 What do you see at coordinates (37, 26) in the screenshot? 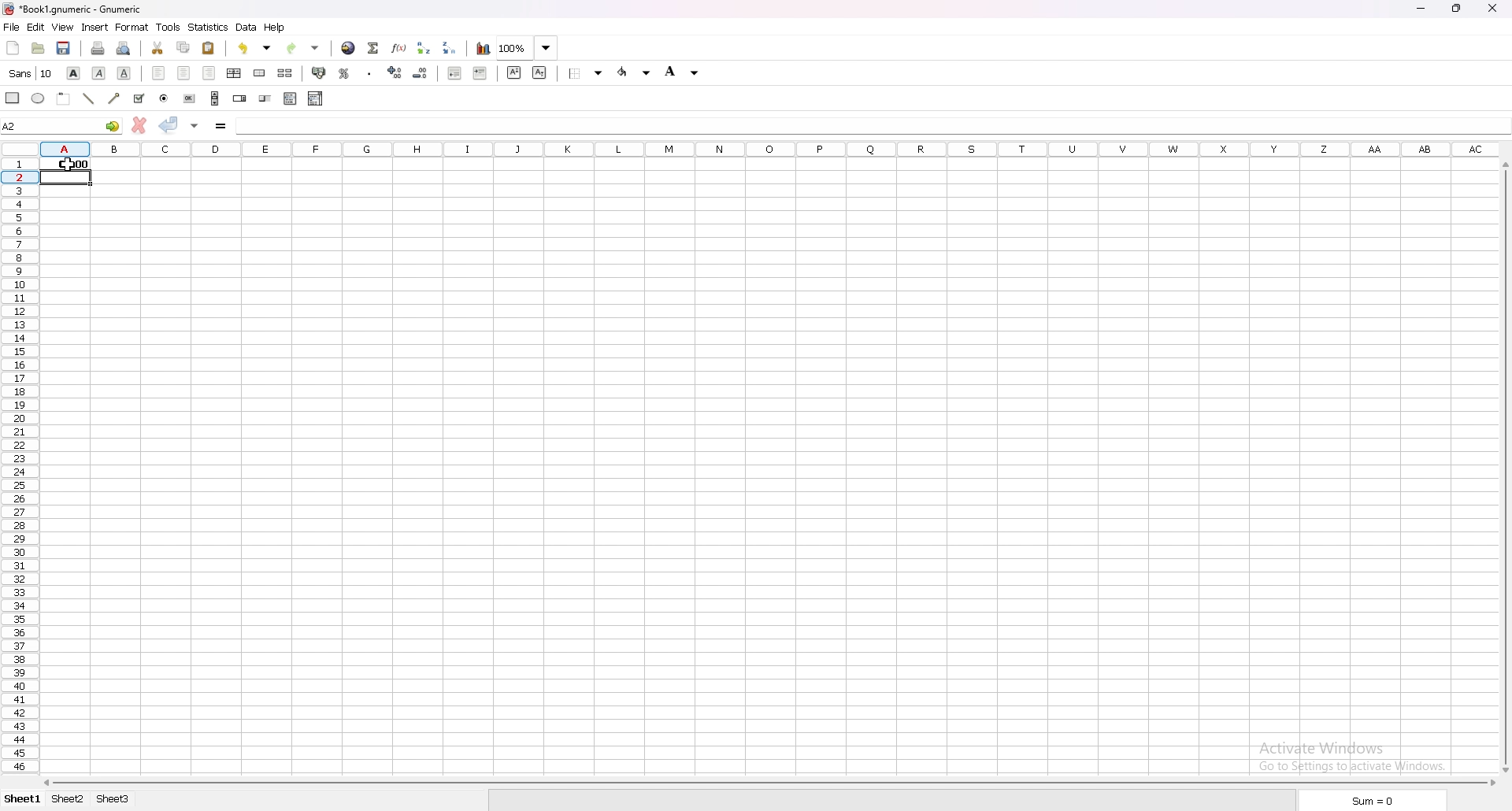
I see `edit` at bounding box center [37, 26].